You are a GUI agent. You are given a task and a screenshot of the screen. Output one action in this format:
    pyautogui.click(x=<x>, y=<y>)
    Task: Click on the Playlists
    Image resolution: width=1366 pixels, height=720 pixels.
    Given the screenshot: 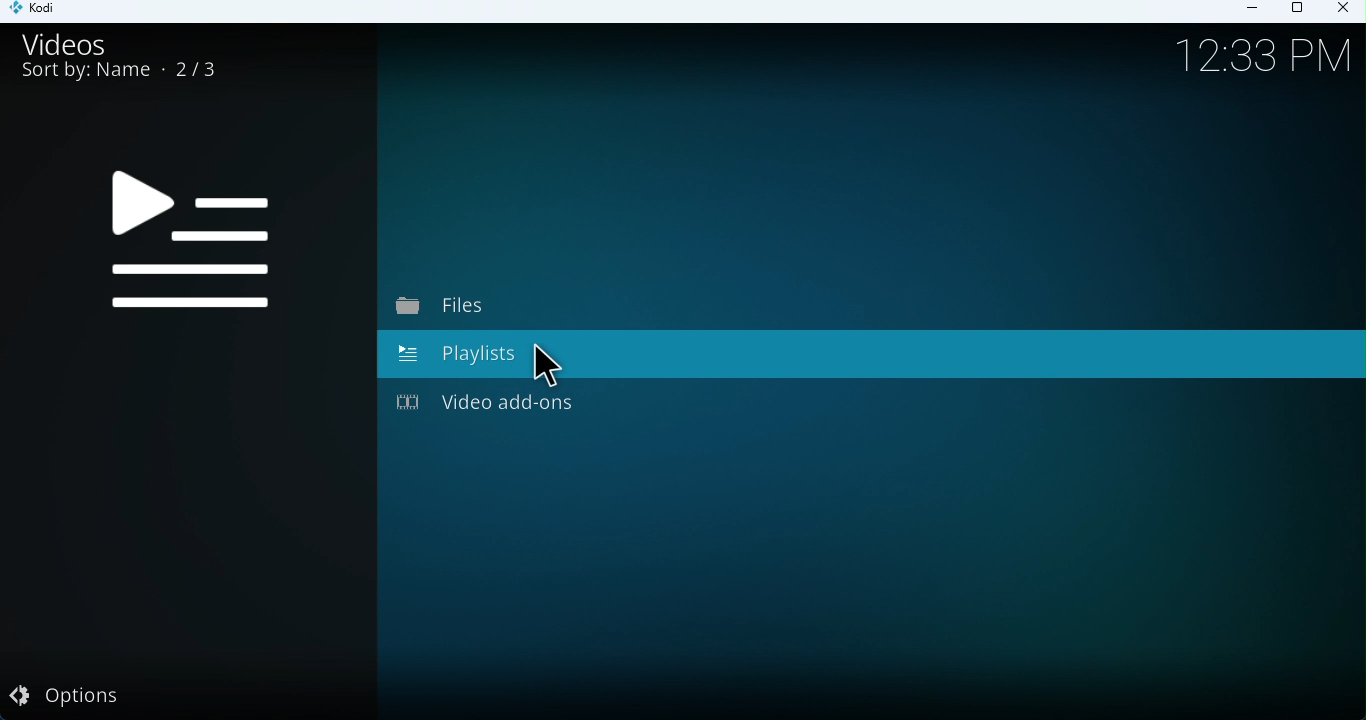 What is the action you would take?
    pyautogui.click(x=457, y=354)
    